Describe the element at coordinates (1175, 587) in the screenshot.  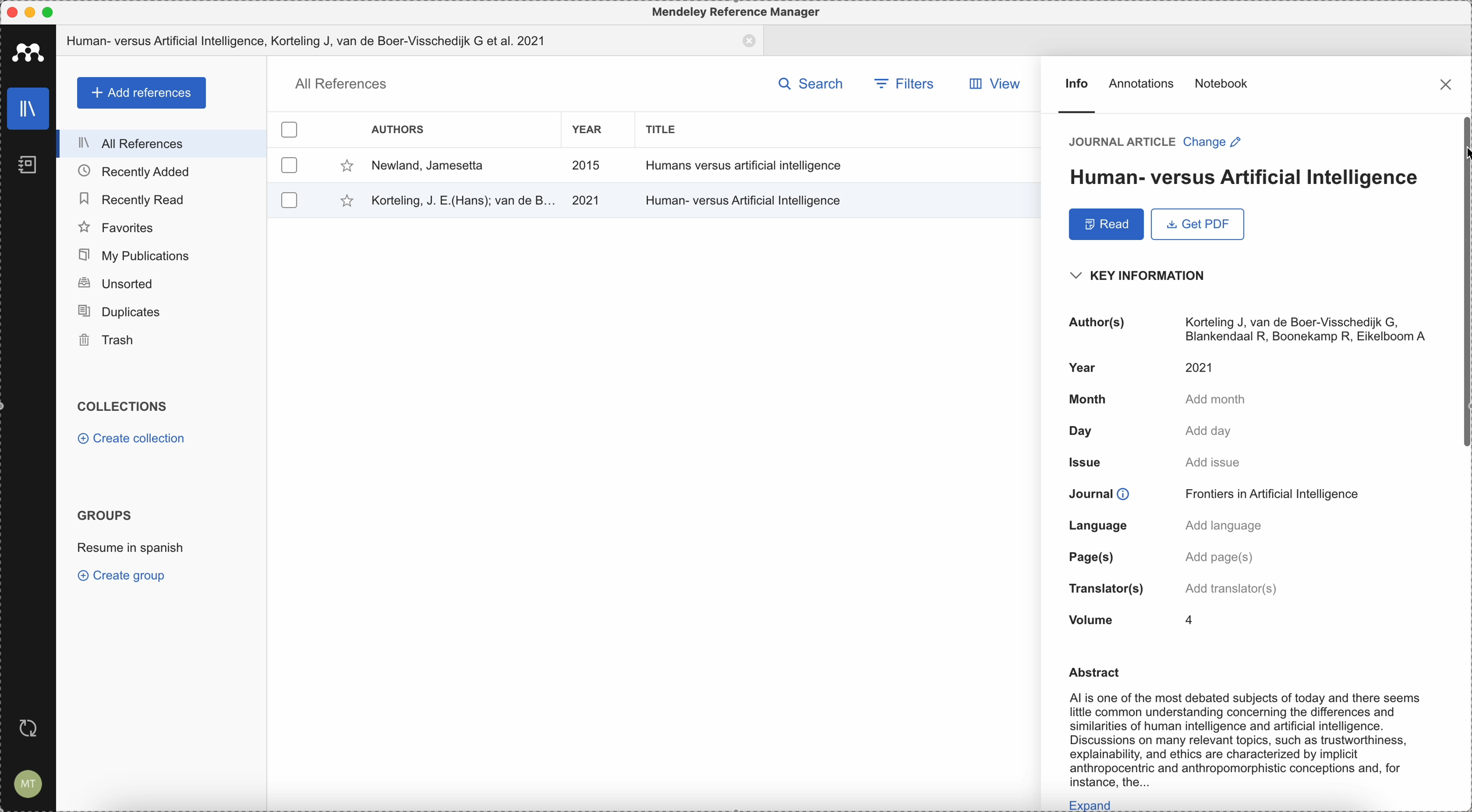
I see `translator(s) add translator(s)` at that location.